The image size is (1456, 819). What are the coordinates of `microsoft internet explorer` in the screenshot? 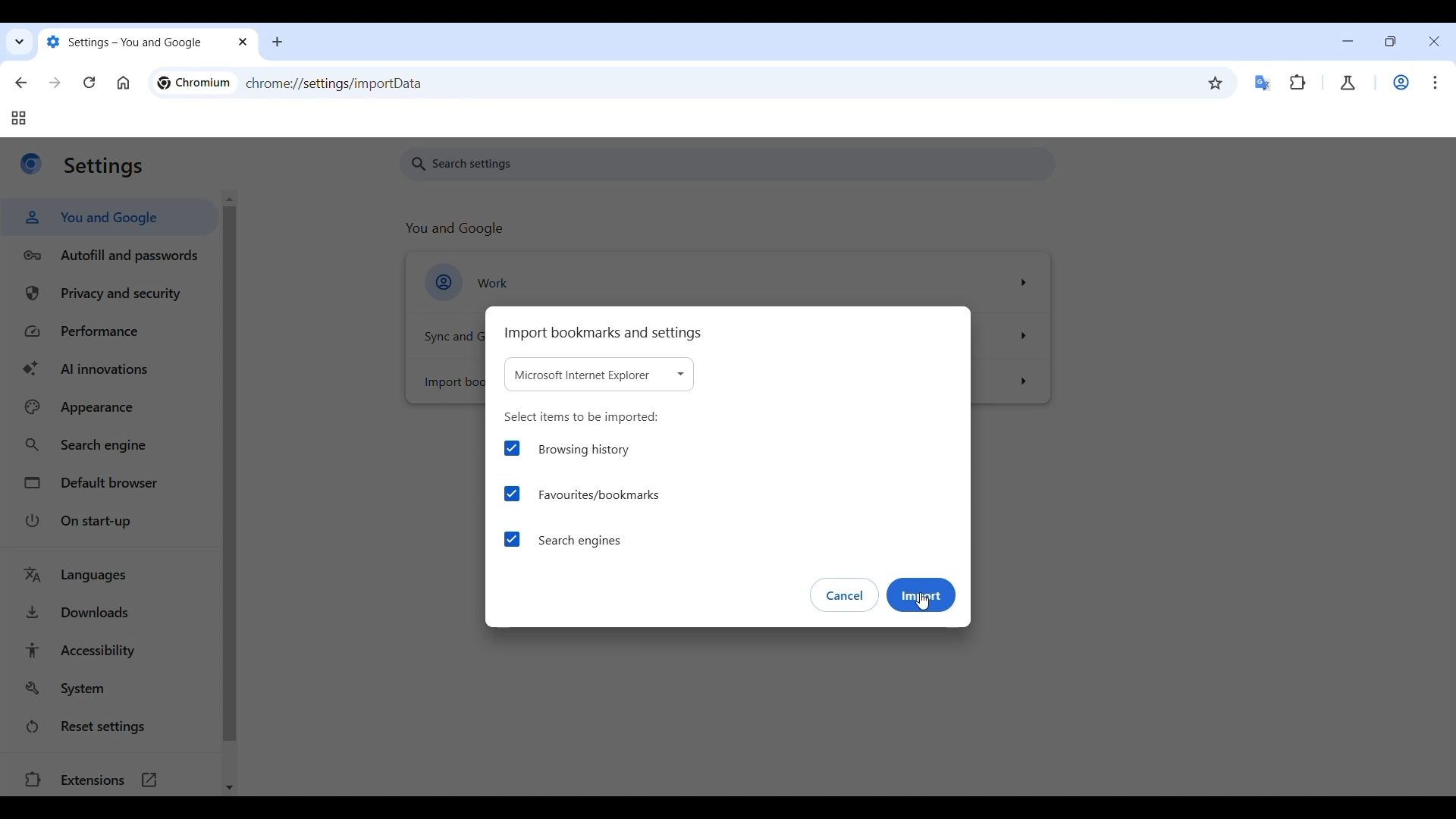 It's located at (599, 375).